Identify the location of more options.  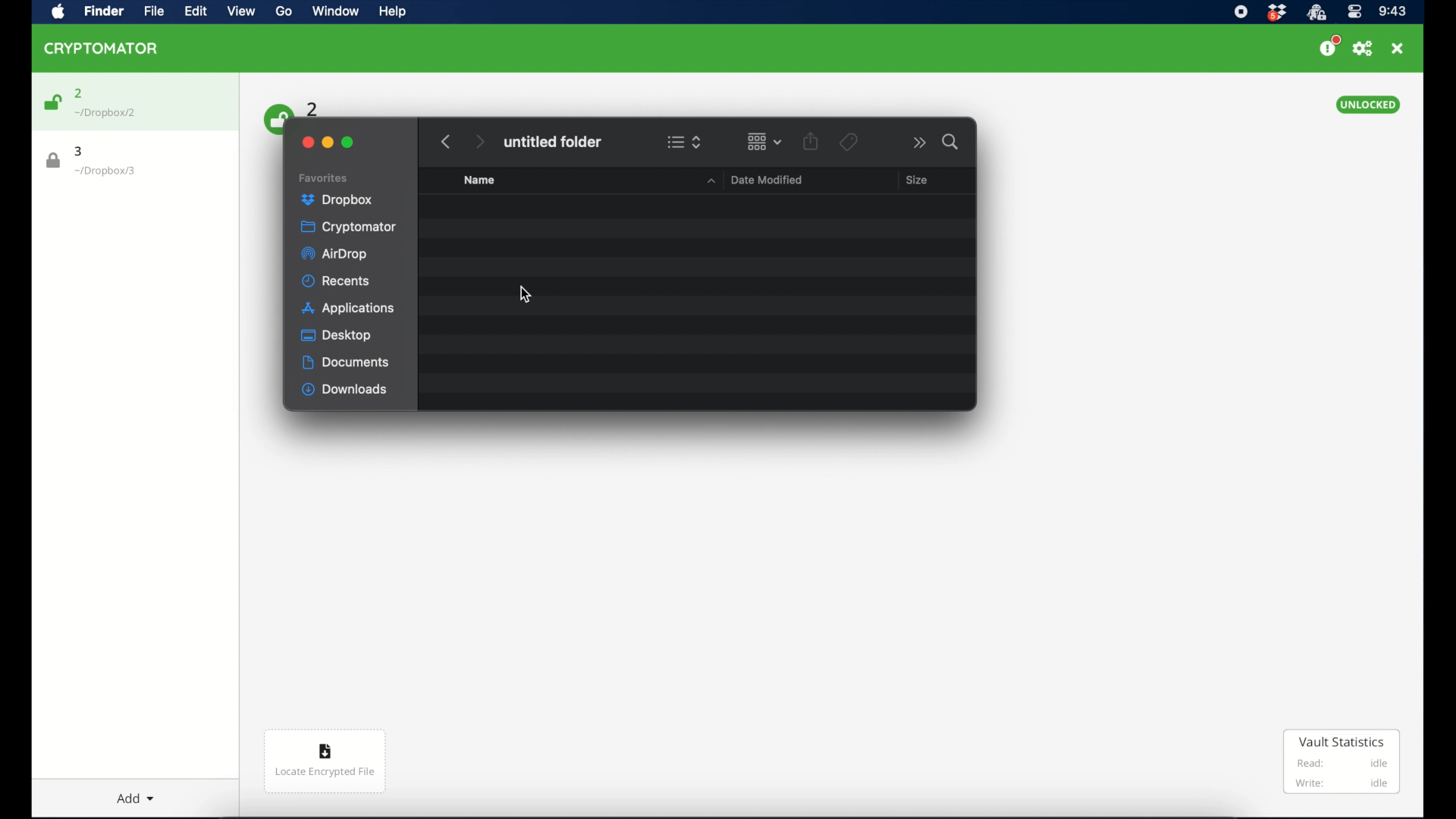
(920, 143).